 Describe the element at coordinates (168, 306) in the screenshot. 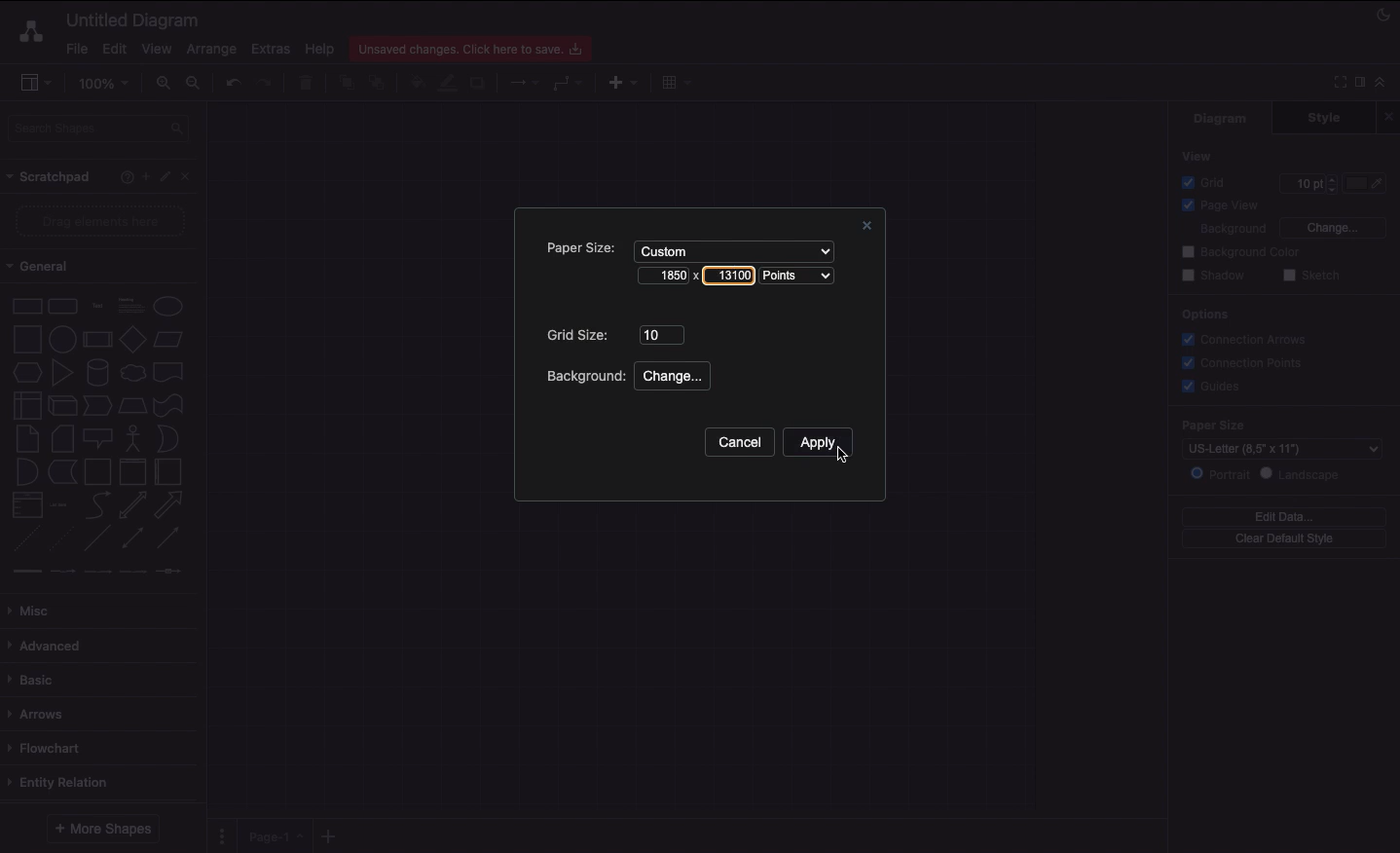

I see `Circle` at that location.